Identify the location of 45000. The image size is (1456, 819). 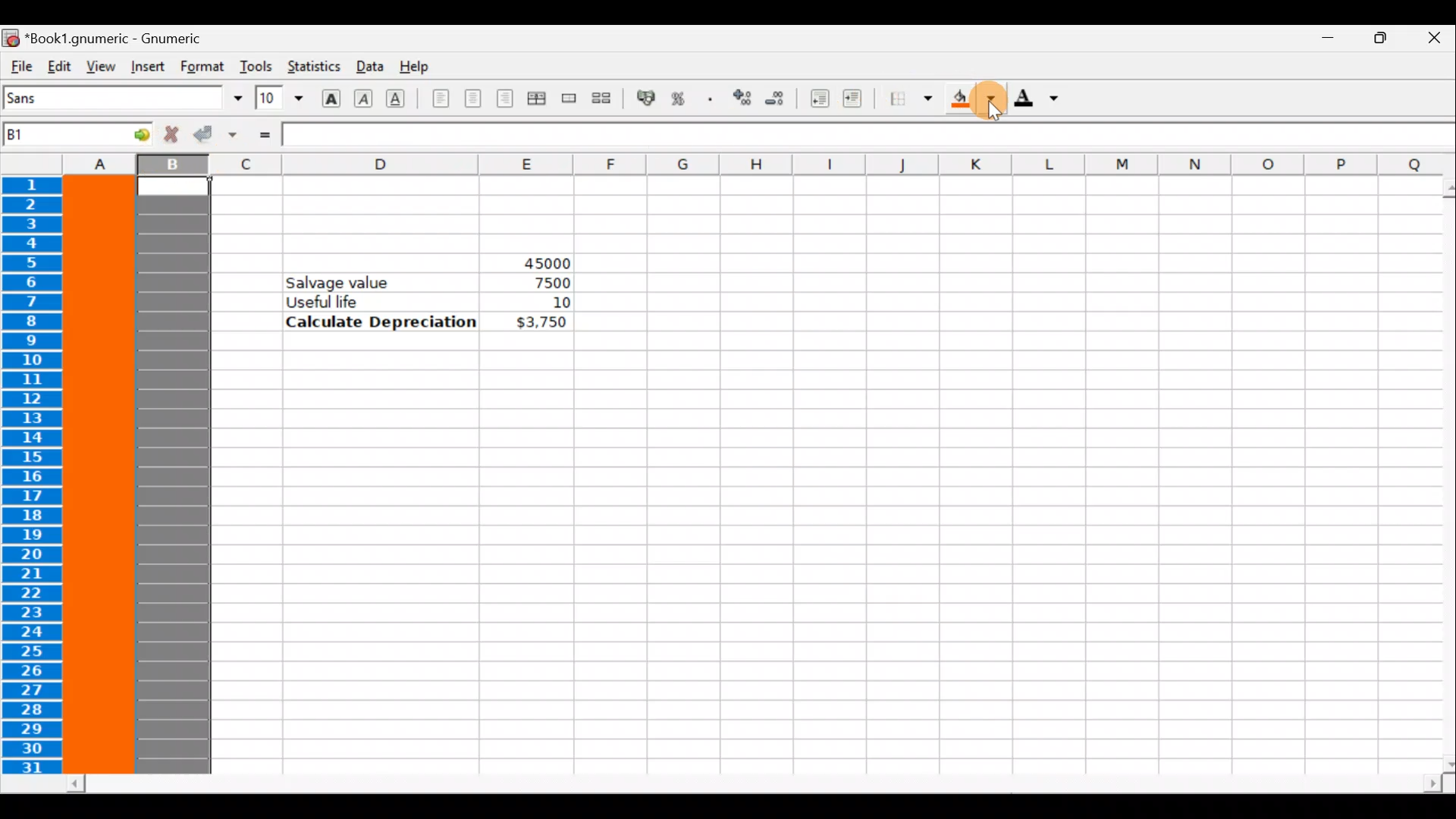
(533, 260).